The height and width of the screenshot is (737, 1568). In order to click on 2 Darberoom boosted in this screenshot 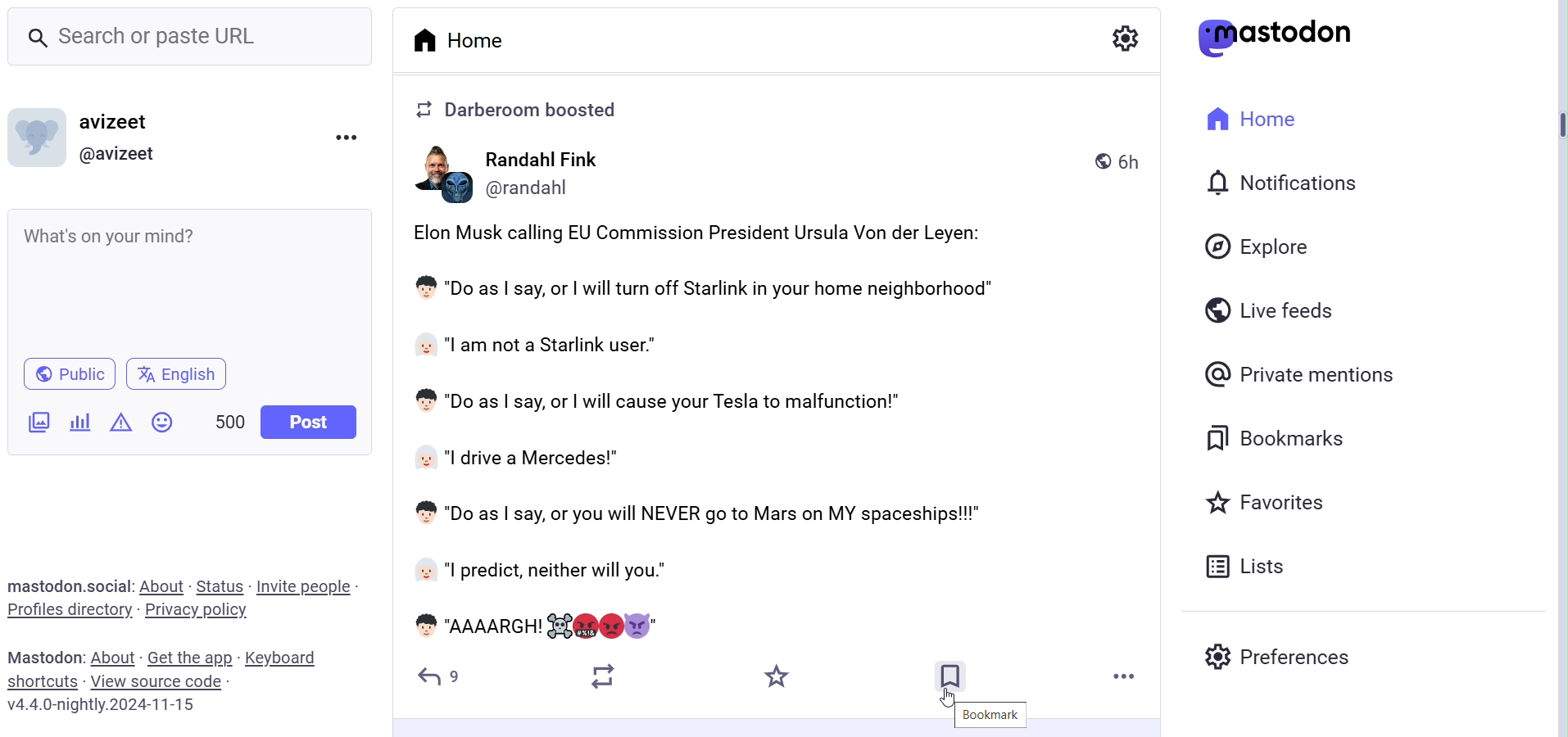, I will do `click(528, 110)`.